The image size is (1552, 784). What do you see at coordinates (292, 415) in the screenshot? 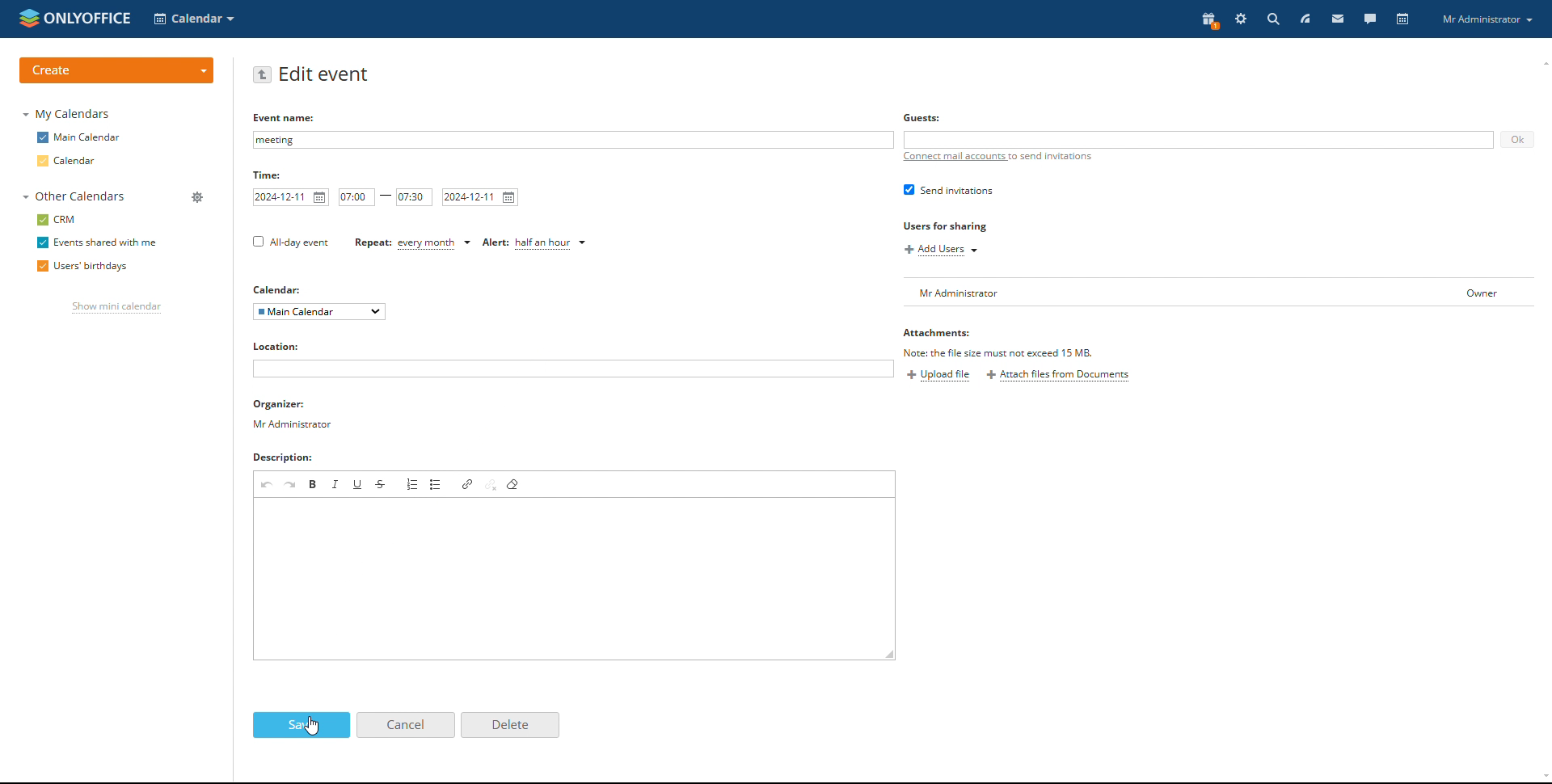
I see `organizer` at bounding box center [292, 415].